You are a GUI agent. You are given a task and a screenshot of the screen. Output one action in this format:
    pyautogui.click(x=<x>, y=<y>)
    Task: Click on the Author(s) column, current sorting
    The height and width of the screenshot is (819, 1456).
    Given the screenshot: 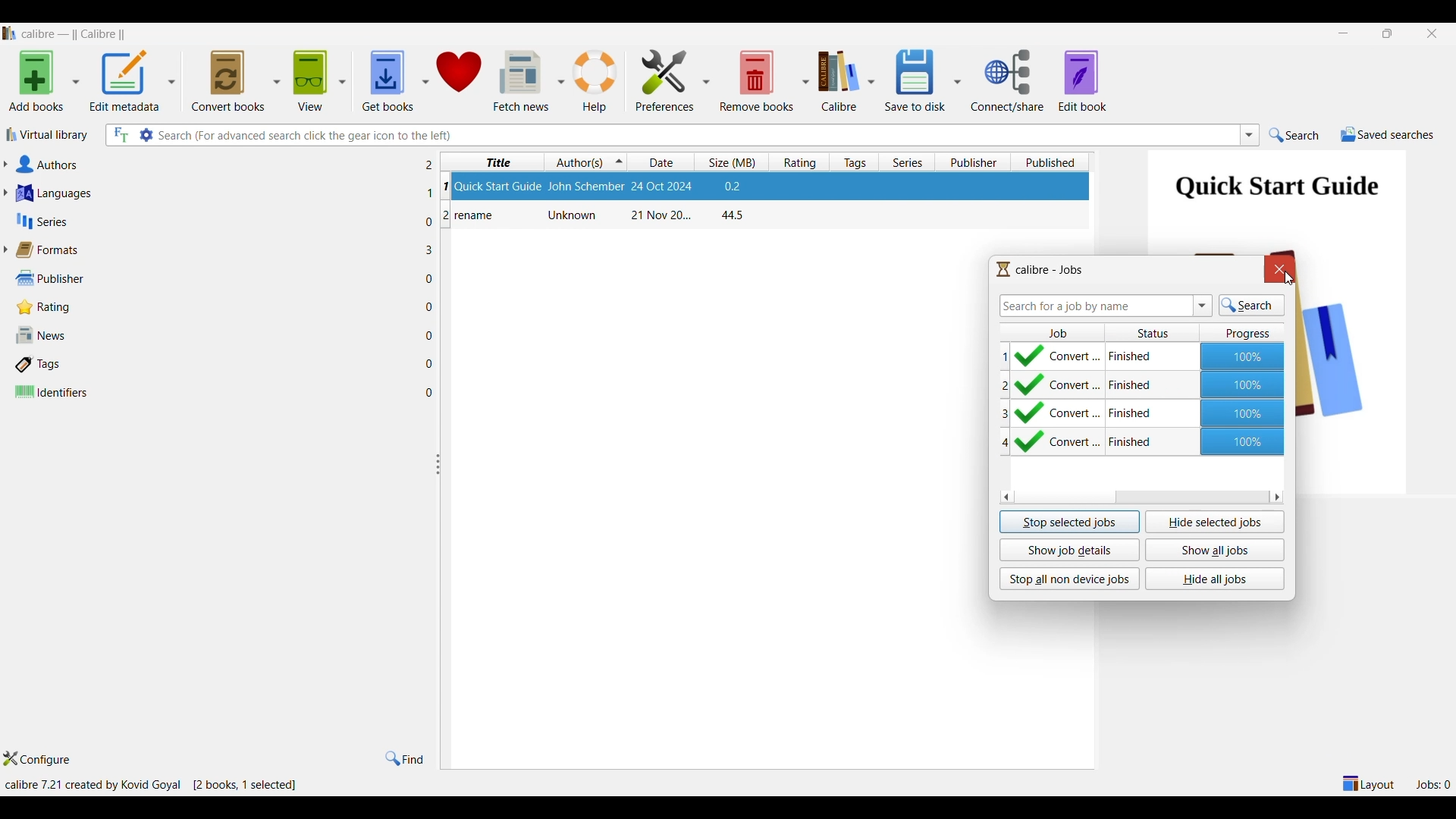 What is the action you would take?
    pyautogui.click(x=585, y=162)
    